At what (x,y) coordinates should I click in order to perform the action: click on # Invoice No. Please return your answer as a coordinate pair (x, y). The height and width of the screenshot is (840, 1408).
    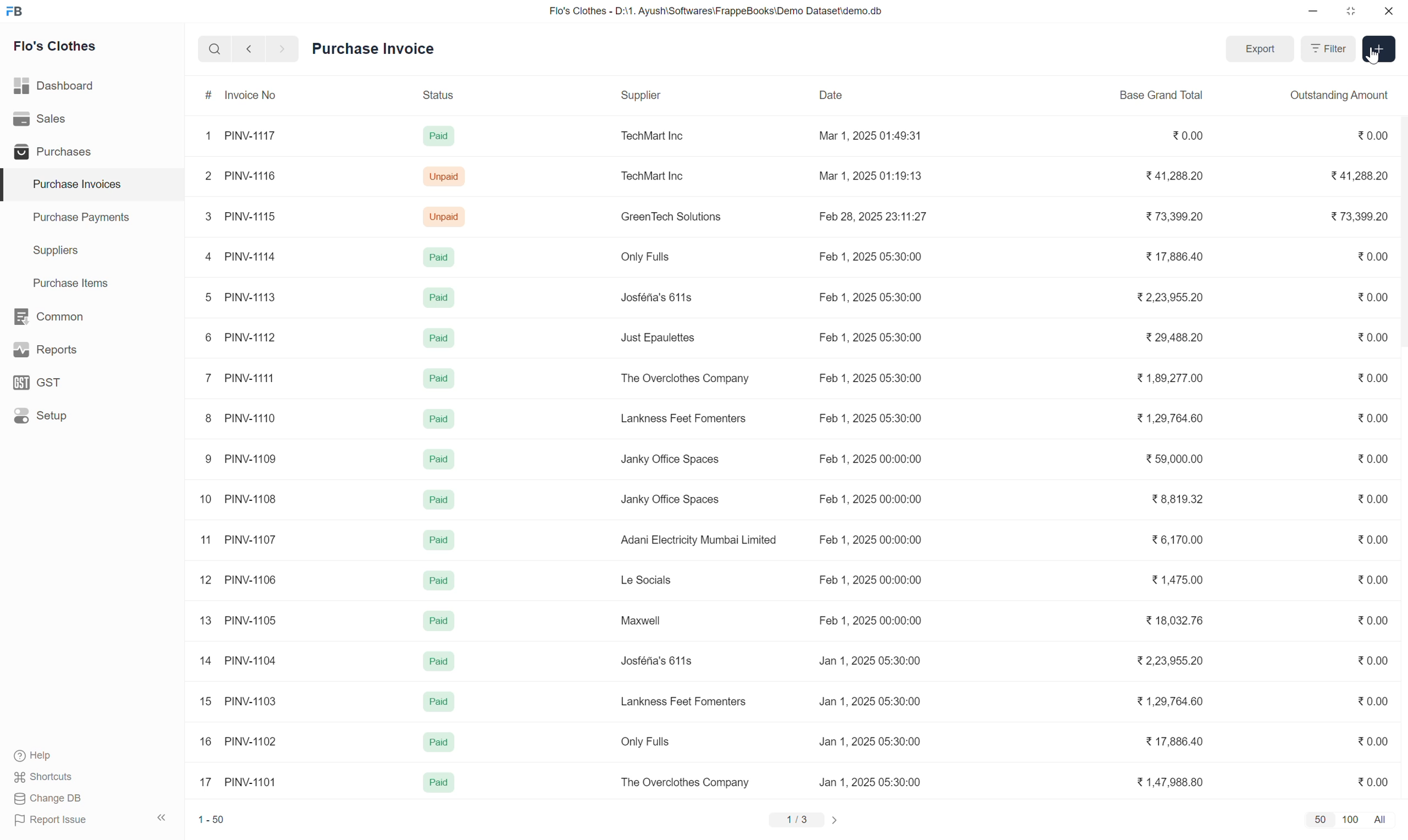
    Looking at the image, I should click on (255, 95).